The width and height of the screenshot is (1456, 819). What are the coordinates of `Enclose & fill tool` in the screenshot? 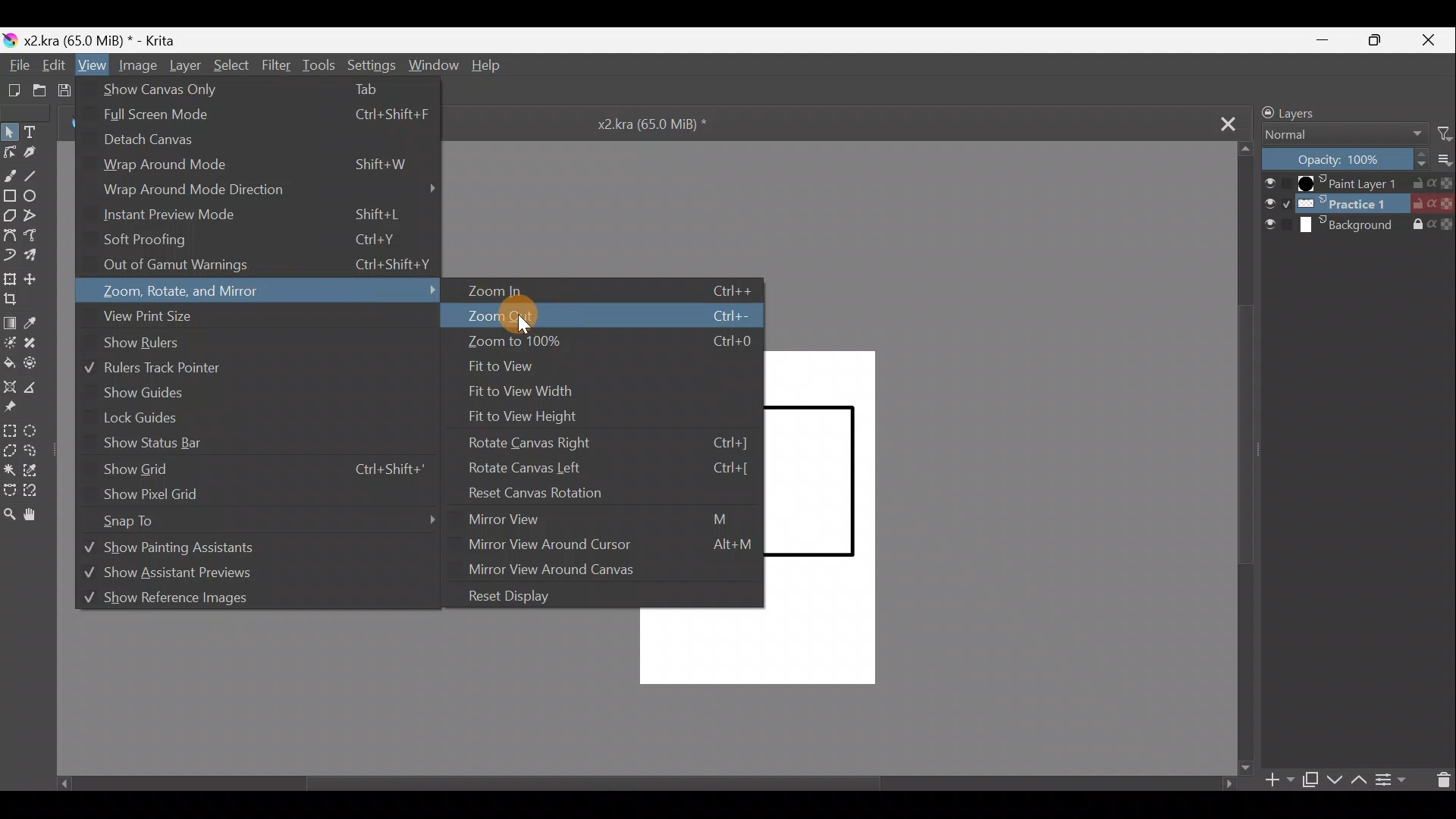 It's located at (39, 363).